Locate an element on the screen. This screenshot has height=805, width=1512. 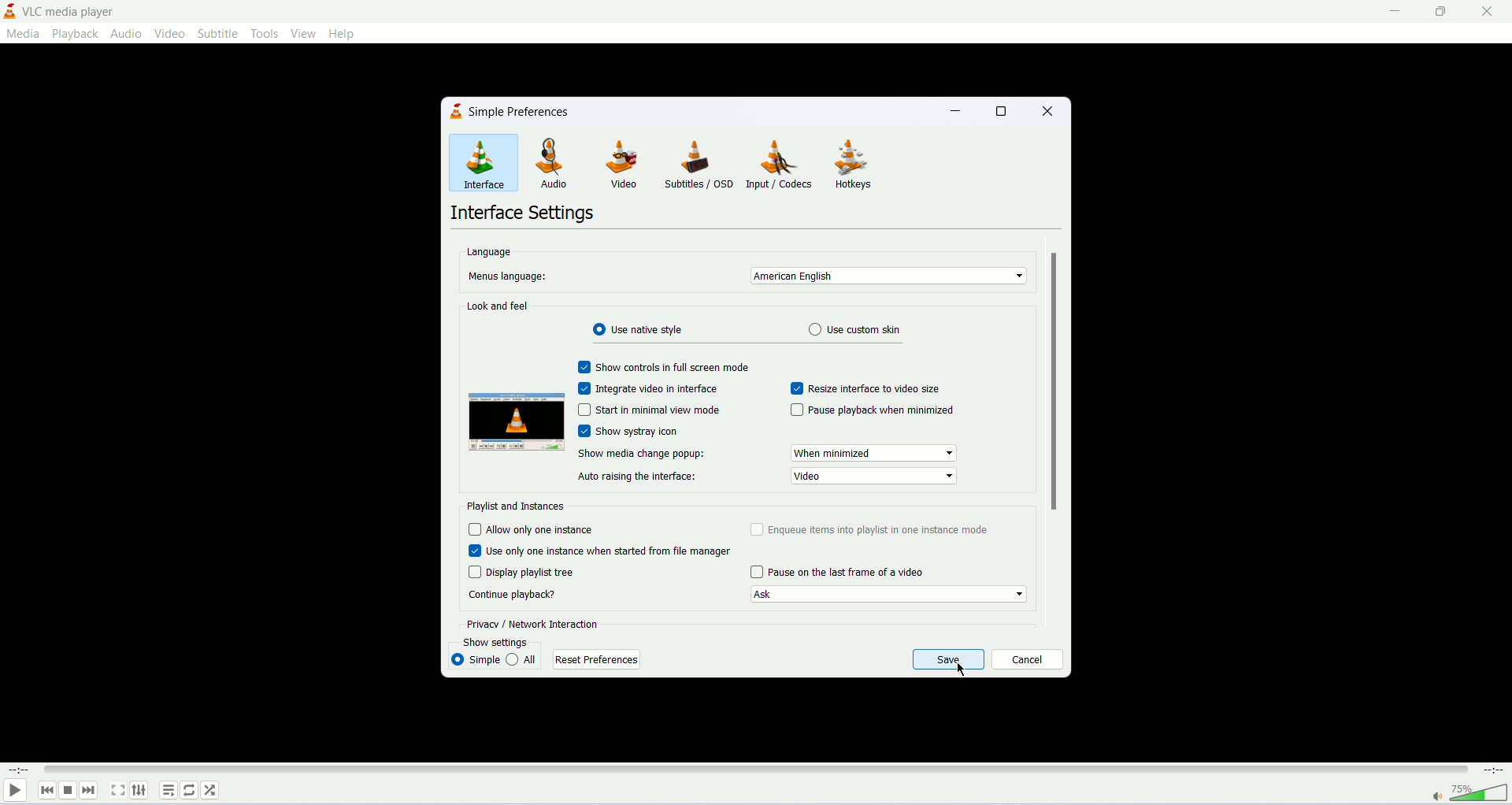
reset preferences is located at coordinates (595, 659).